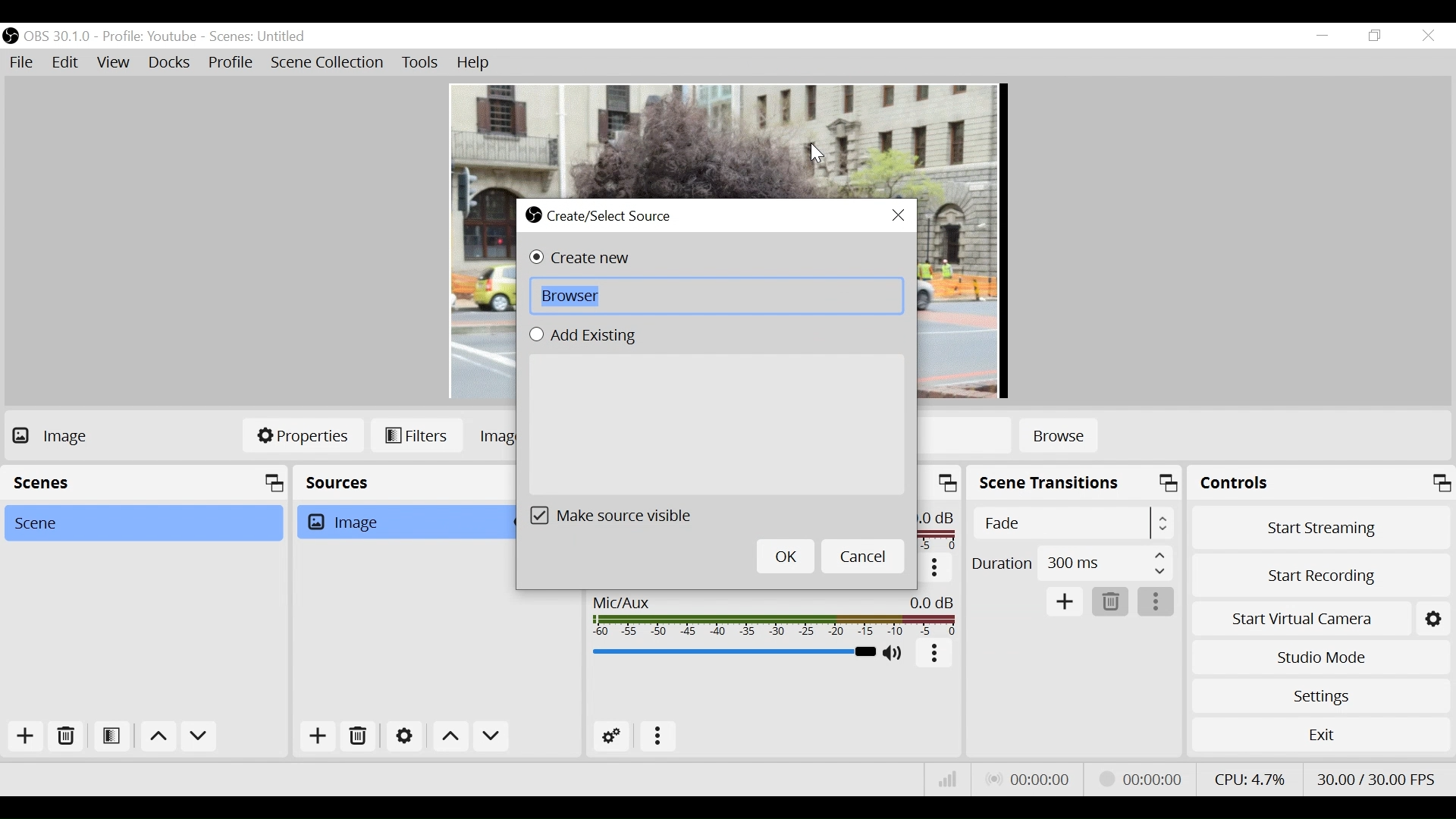 The height and width of the screenshot is (819, 1456). Describe the element at coordinates (726, 132) in the screenshot. I see `Preview` at that location.